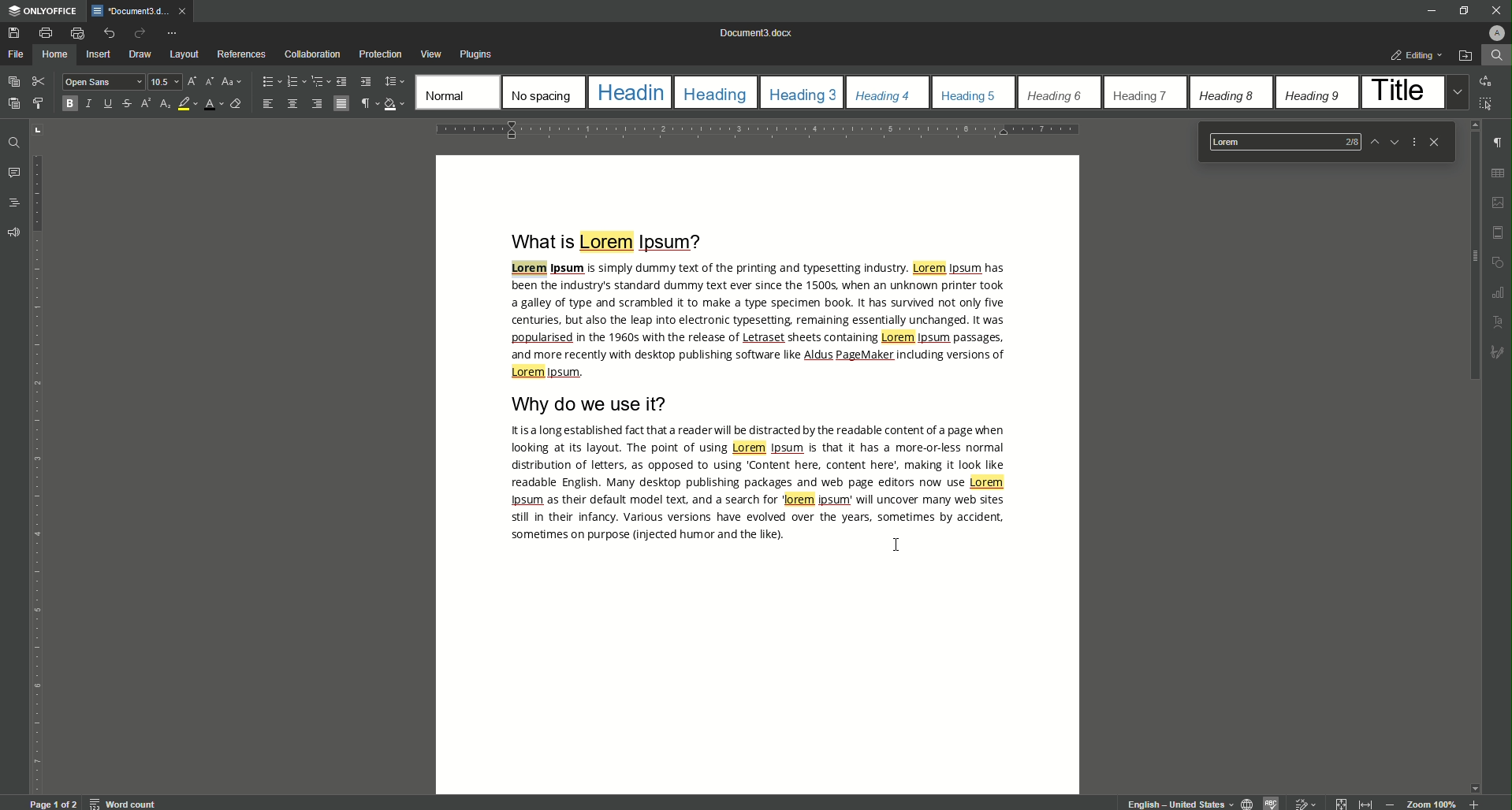 Image resolution: width=1512 pixels, height=810 pixels. What do you see at coordinates (631, 93) in the screenshot?
I see `Heading` at bounding box center [631, 93].